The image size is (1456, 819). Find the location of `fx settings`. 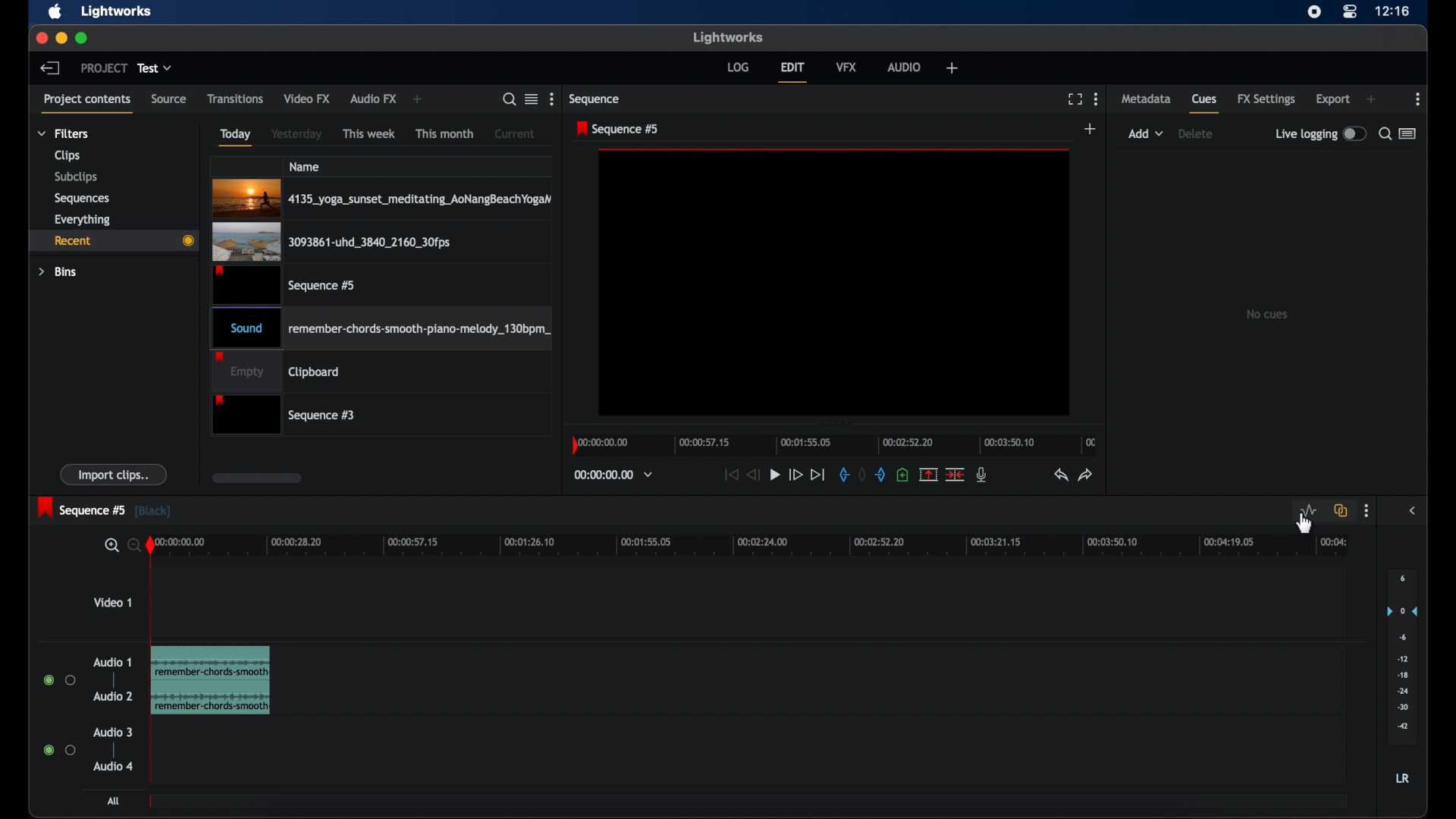

fx settings is located at coordinates (1266, 99).